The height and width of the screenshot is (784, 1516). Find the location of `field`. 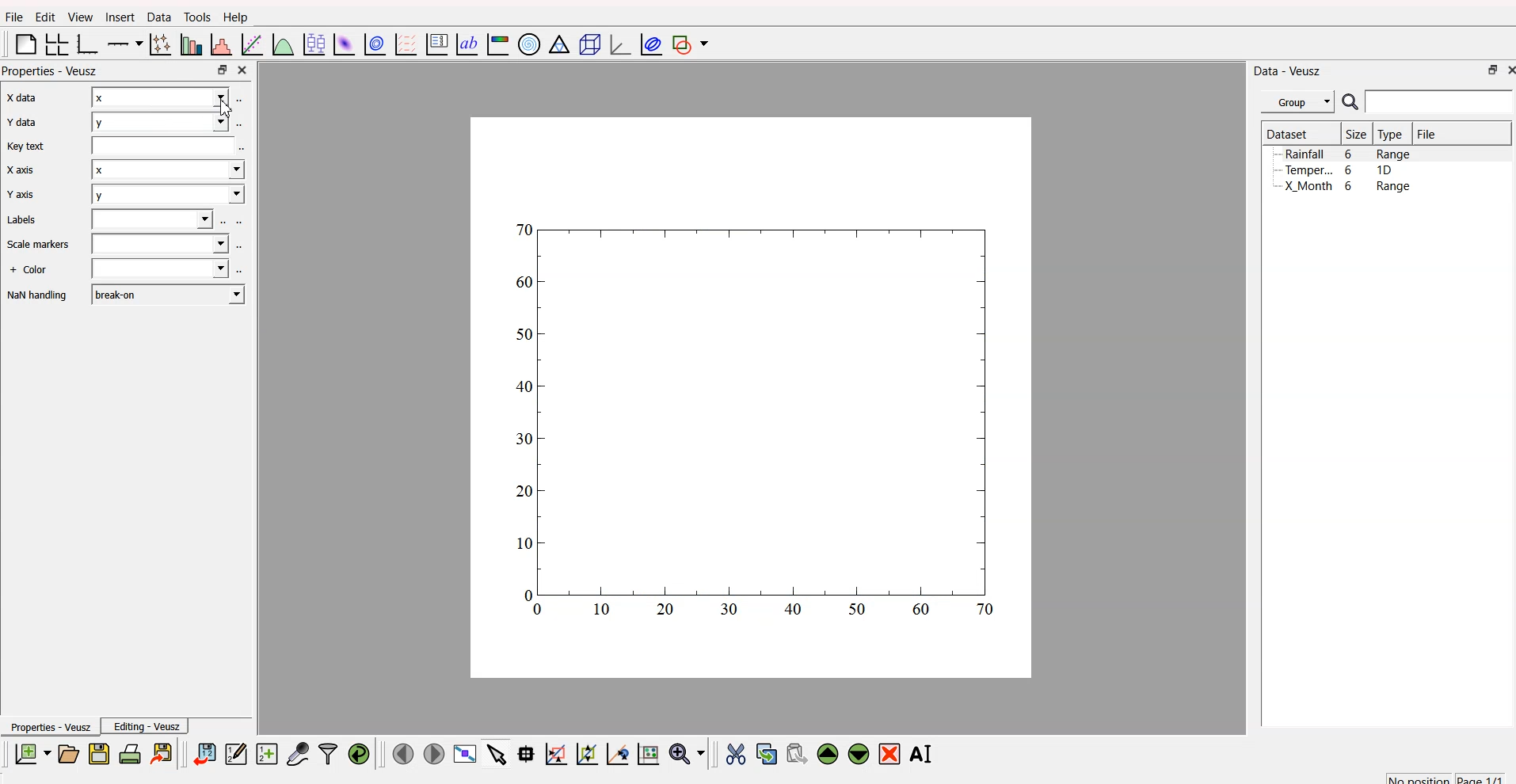

field is located at coordinates (154, 220).